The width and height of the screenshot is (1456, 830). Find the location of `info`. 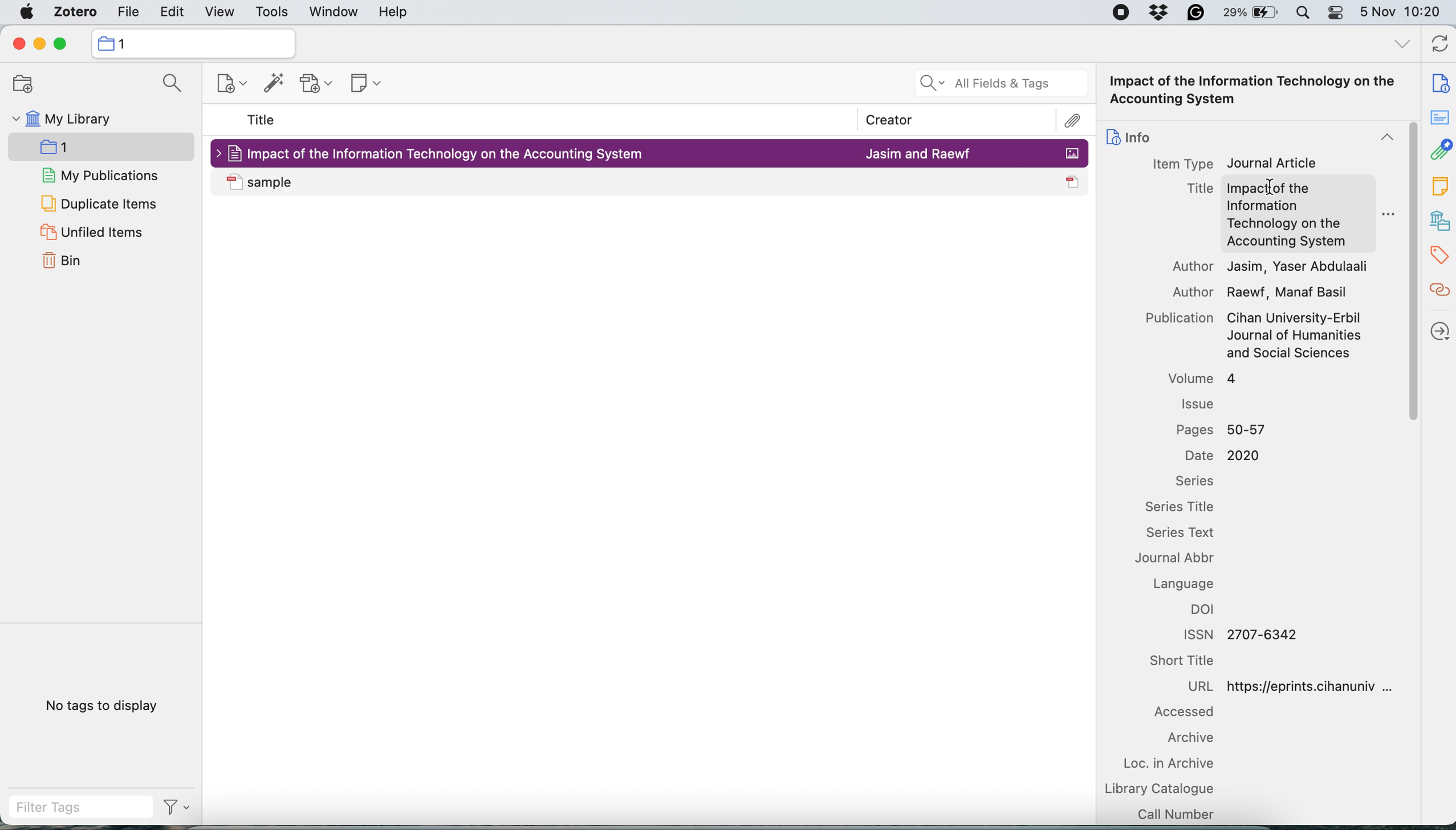

info is located at coordinates (1141, 137).